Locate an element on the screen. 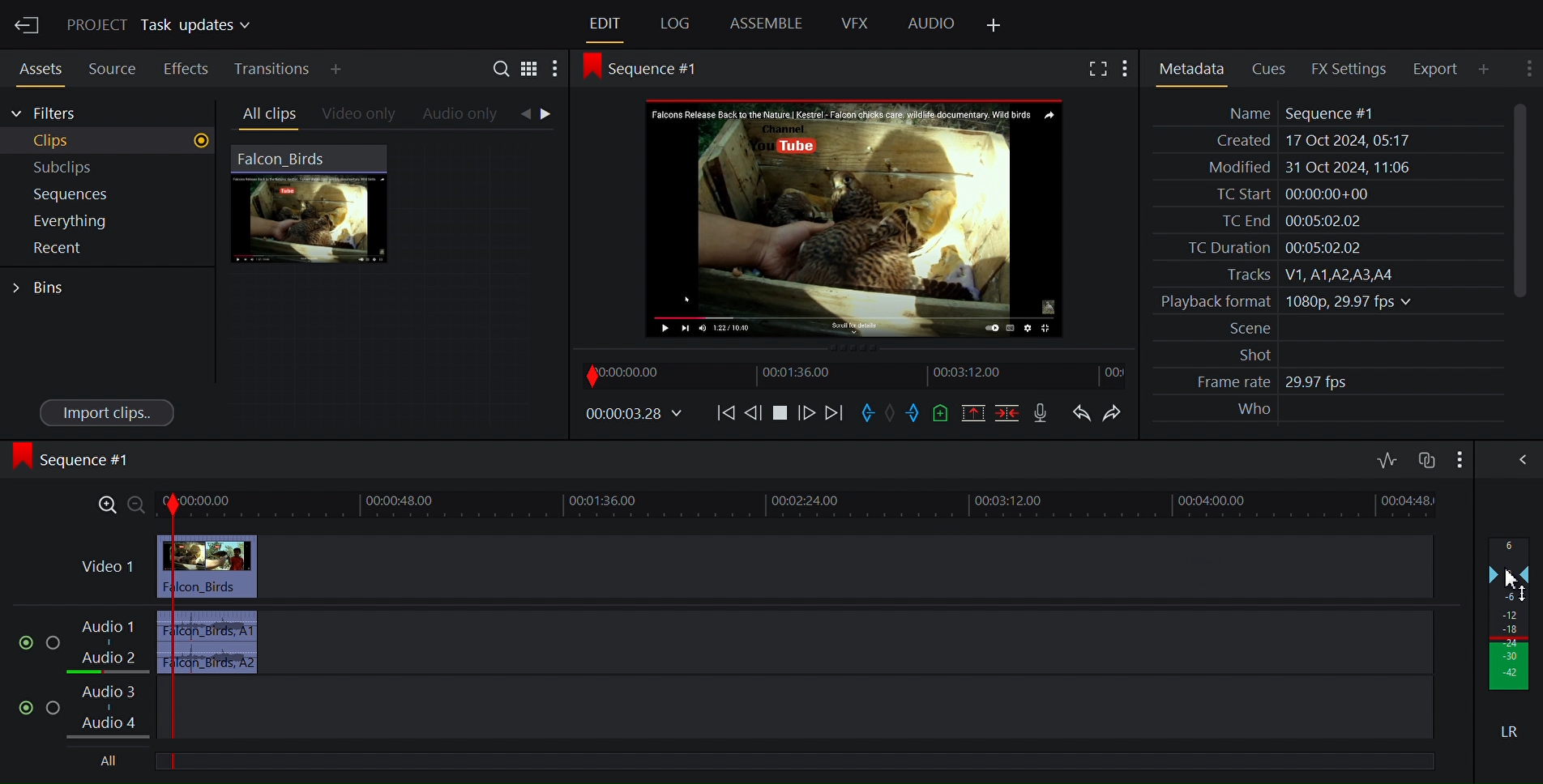  Show/Hide Full audio mix is located at coordinates (1515, 458).